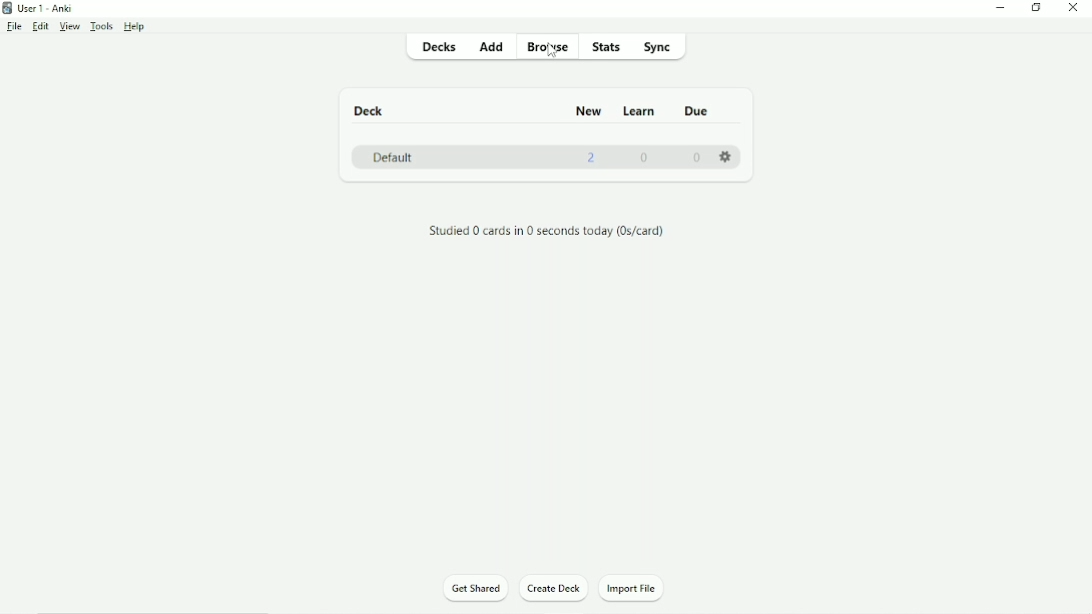  Describe the element at coordinates (1034, 8) in the screenshot. I see `Restore down` at that location.